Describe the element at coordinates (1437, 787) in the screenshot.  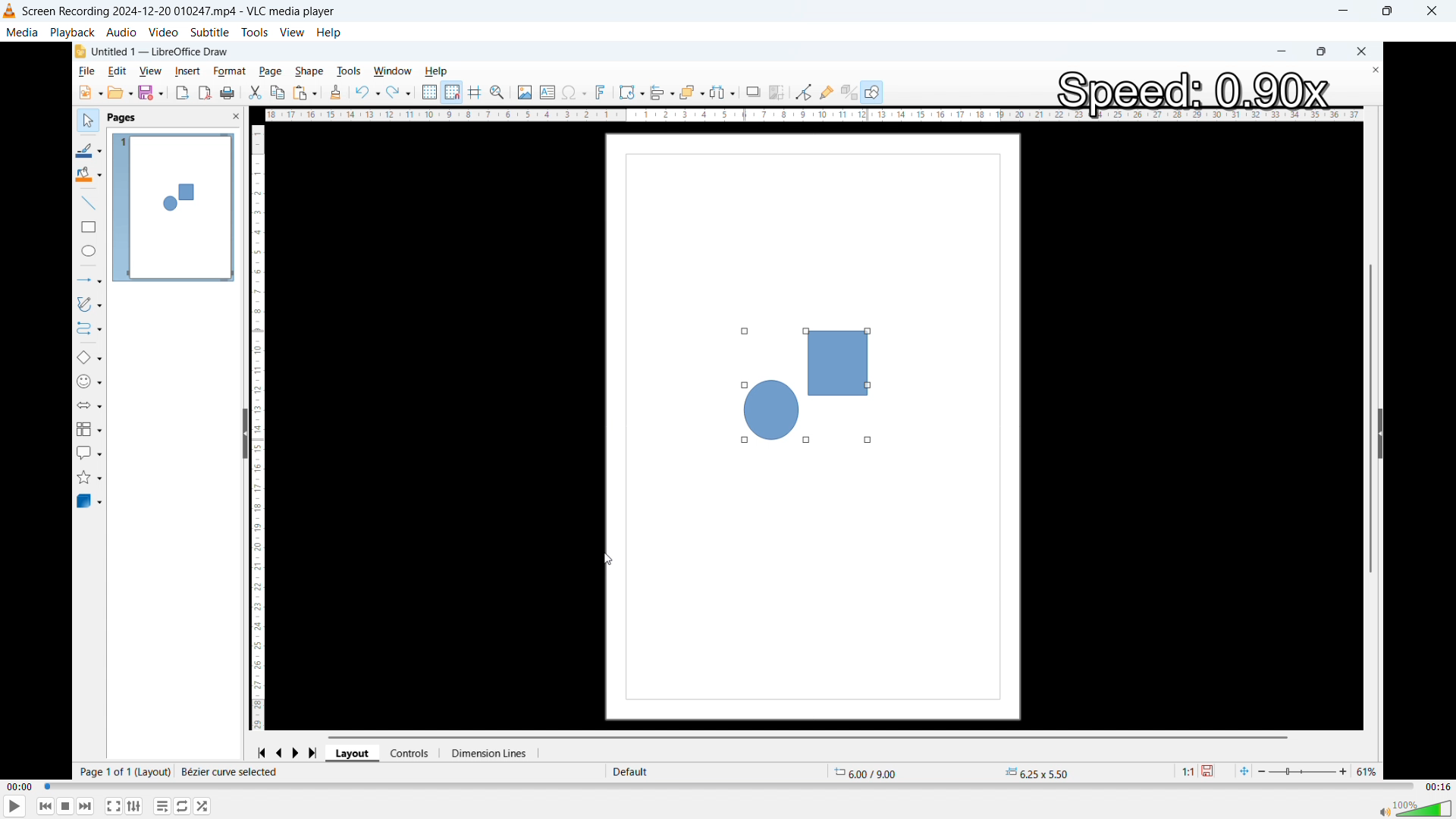
I see `Video duration ` at that location.